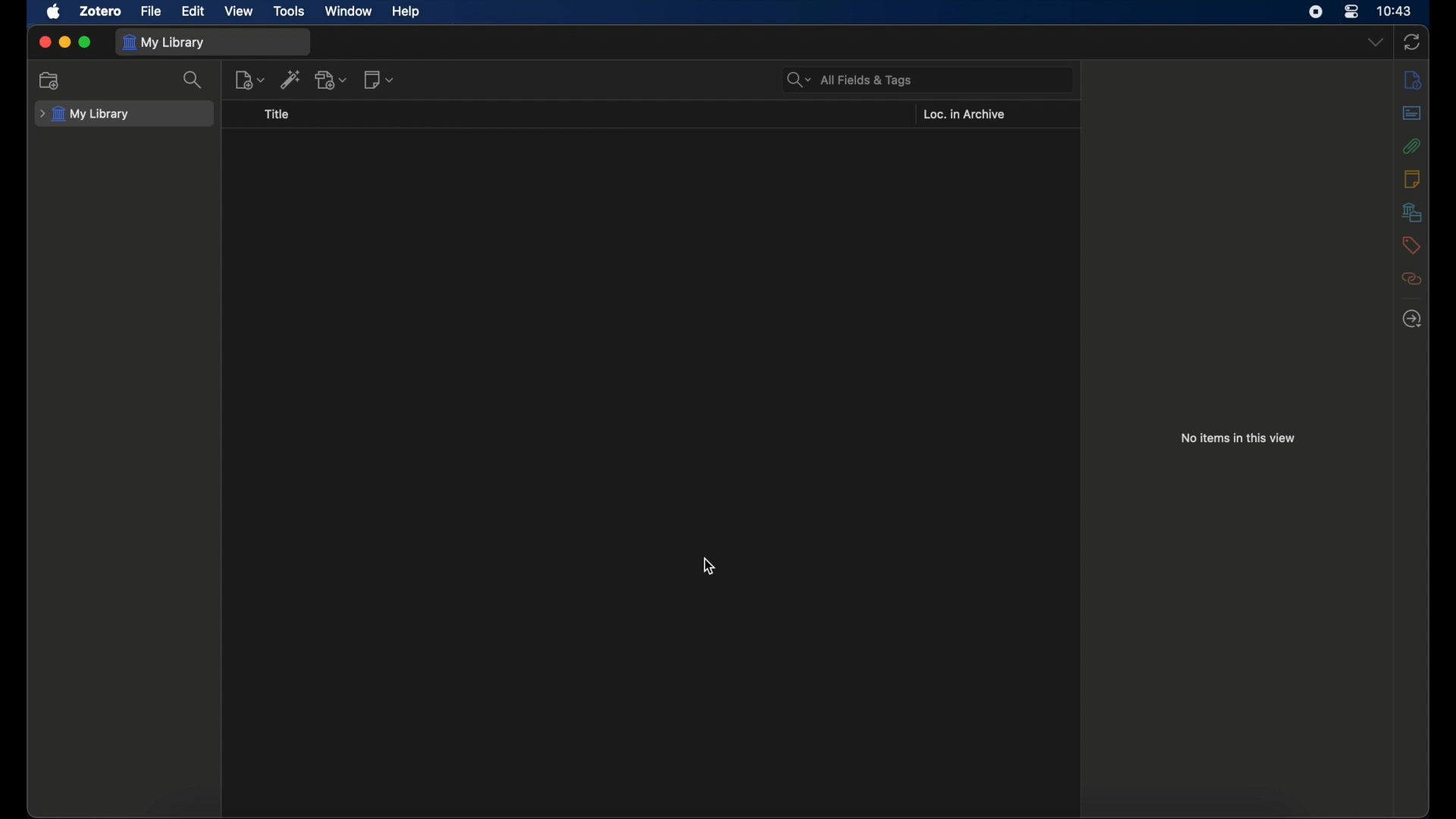 This screenshot has height=819, width=1456. I want to click on zotero, so click(102, 11).